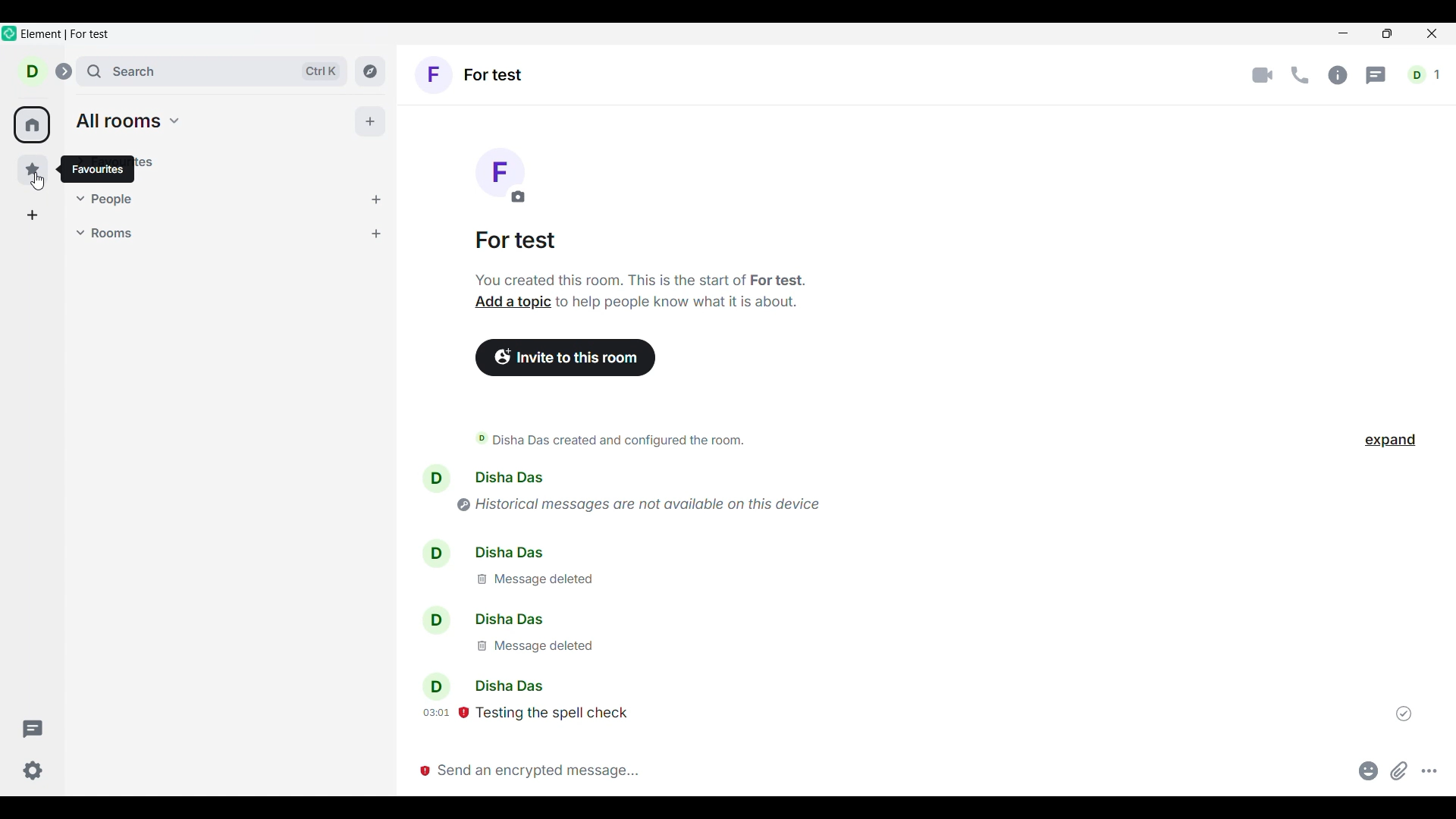  What do you see at coordinates (103, 199) in the screenshot?
I see `People` at bounding box center [103, 199].